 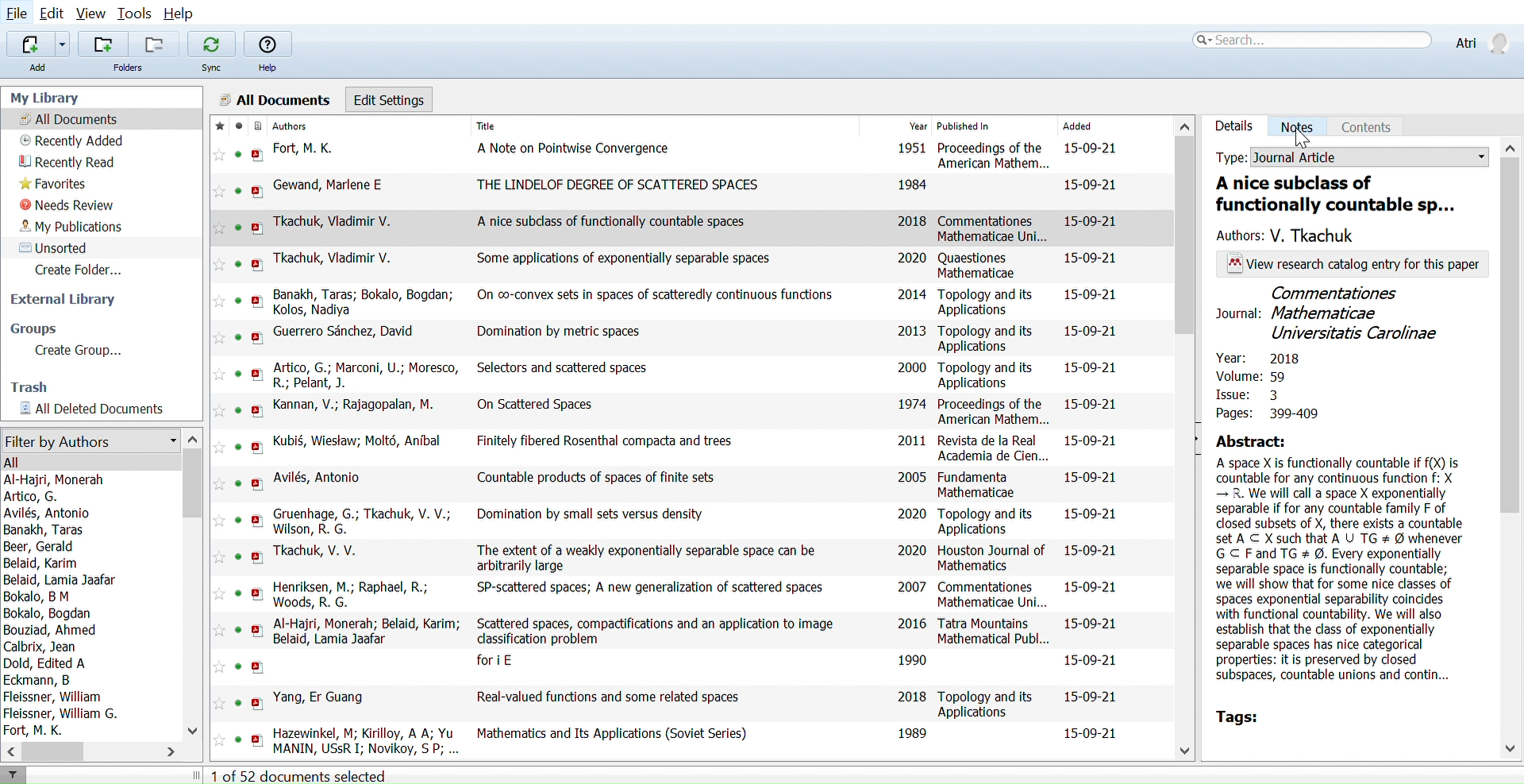 What do you see at coordinates (33, 497) in the screenshot?
I see `Artico, G.` at bounding box center [33, 497].